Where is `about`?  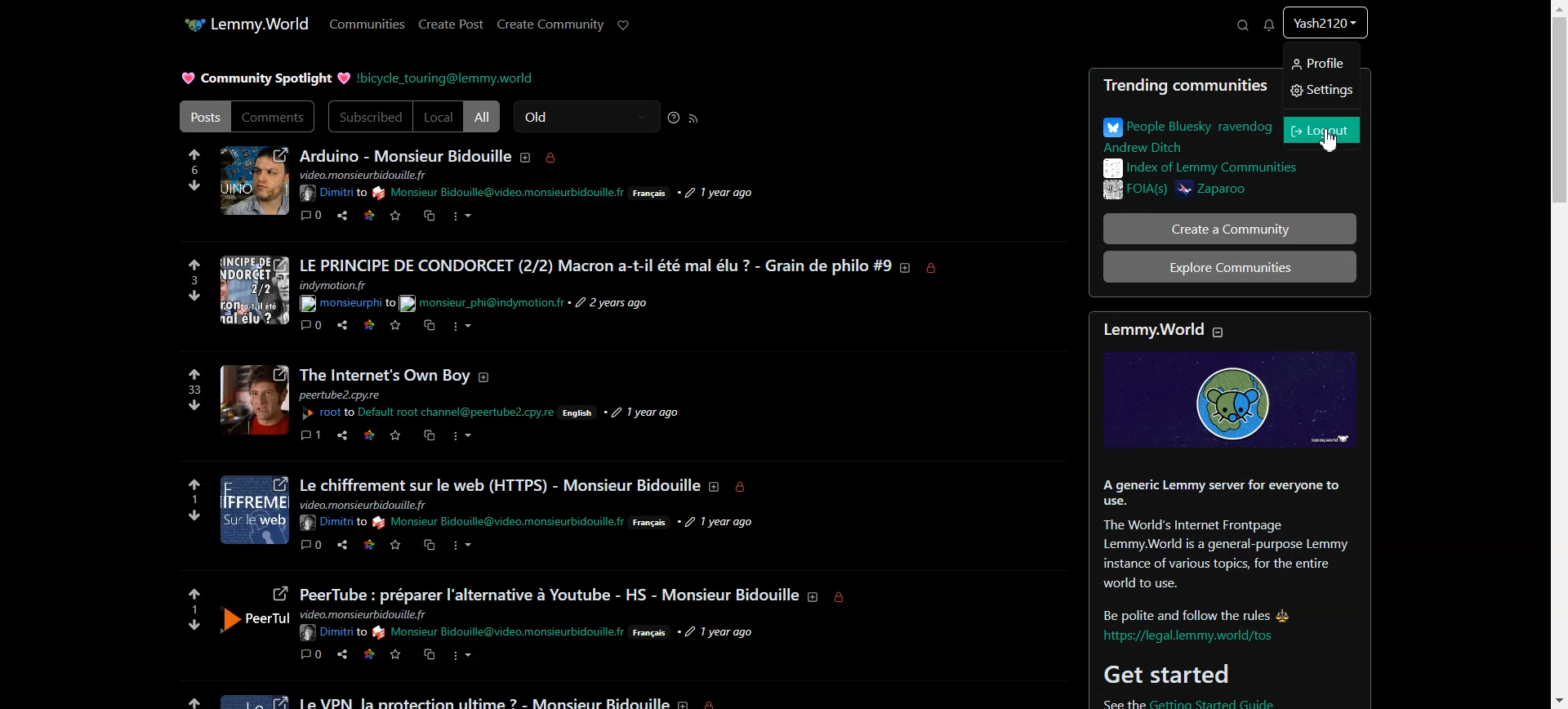
about is located at coordinates (717, 489).